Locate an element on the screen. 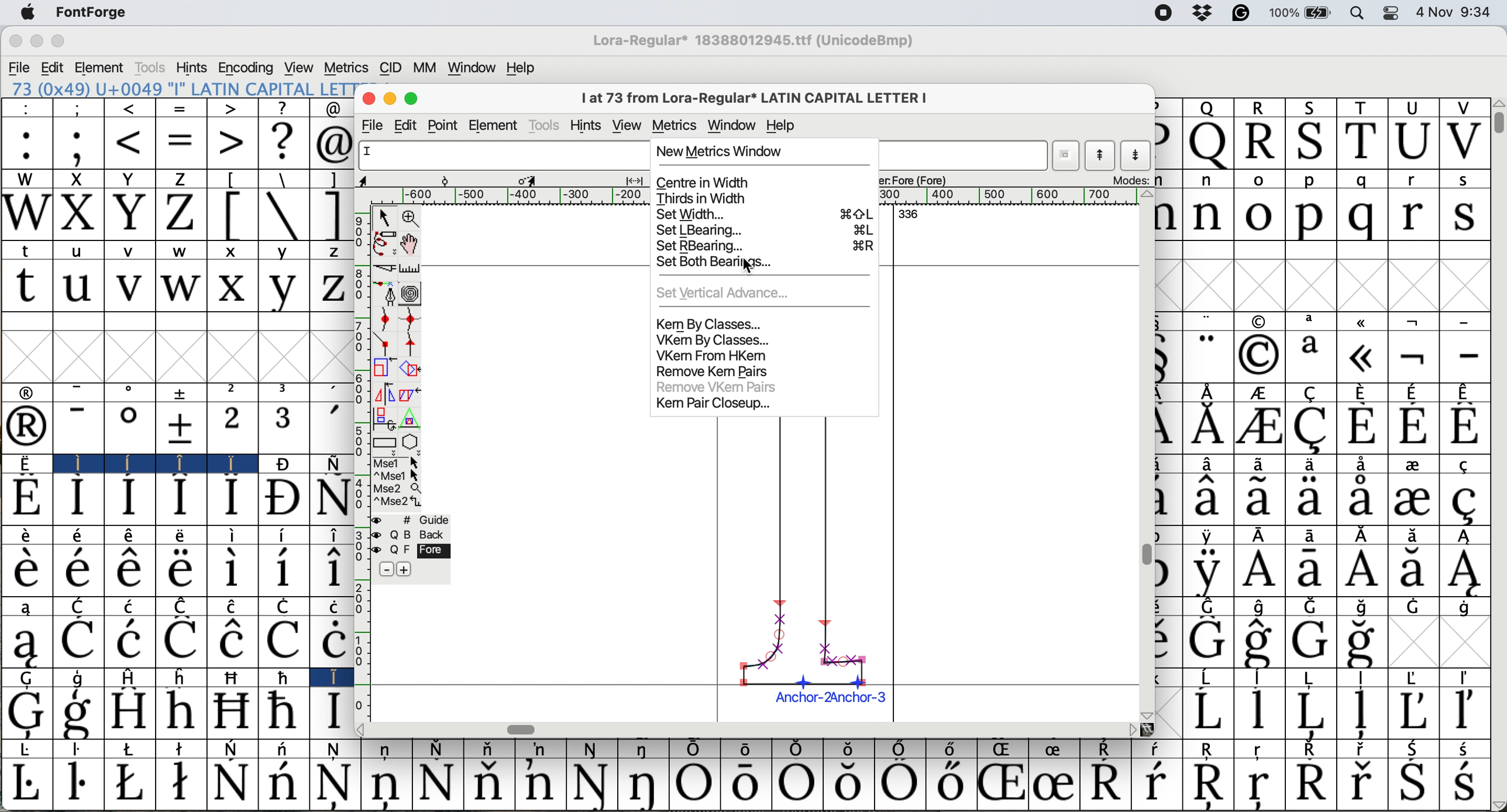 The width and height of the screenshot is (1507, 812). tools is located at coordinates (543, 125).